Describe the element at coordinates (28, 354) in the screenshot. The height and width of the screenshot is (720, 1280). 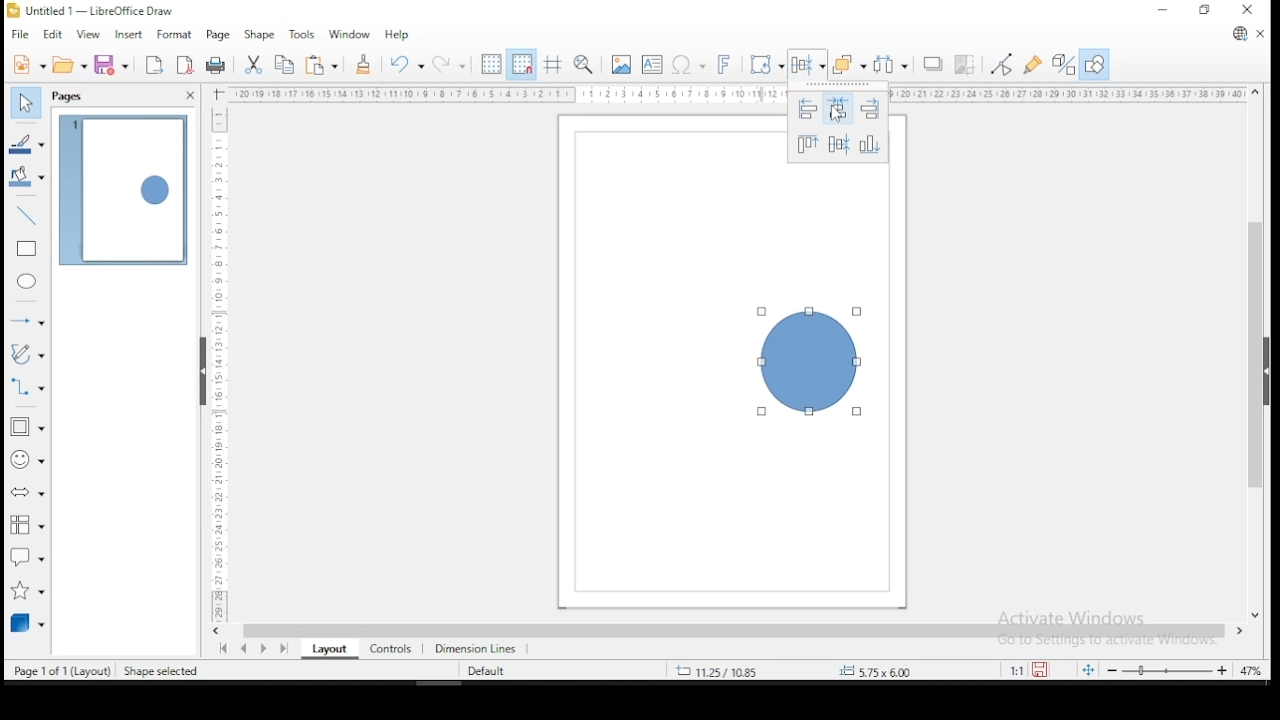
I see `curves and polygons` at that location.